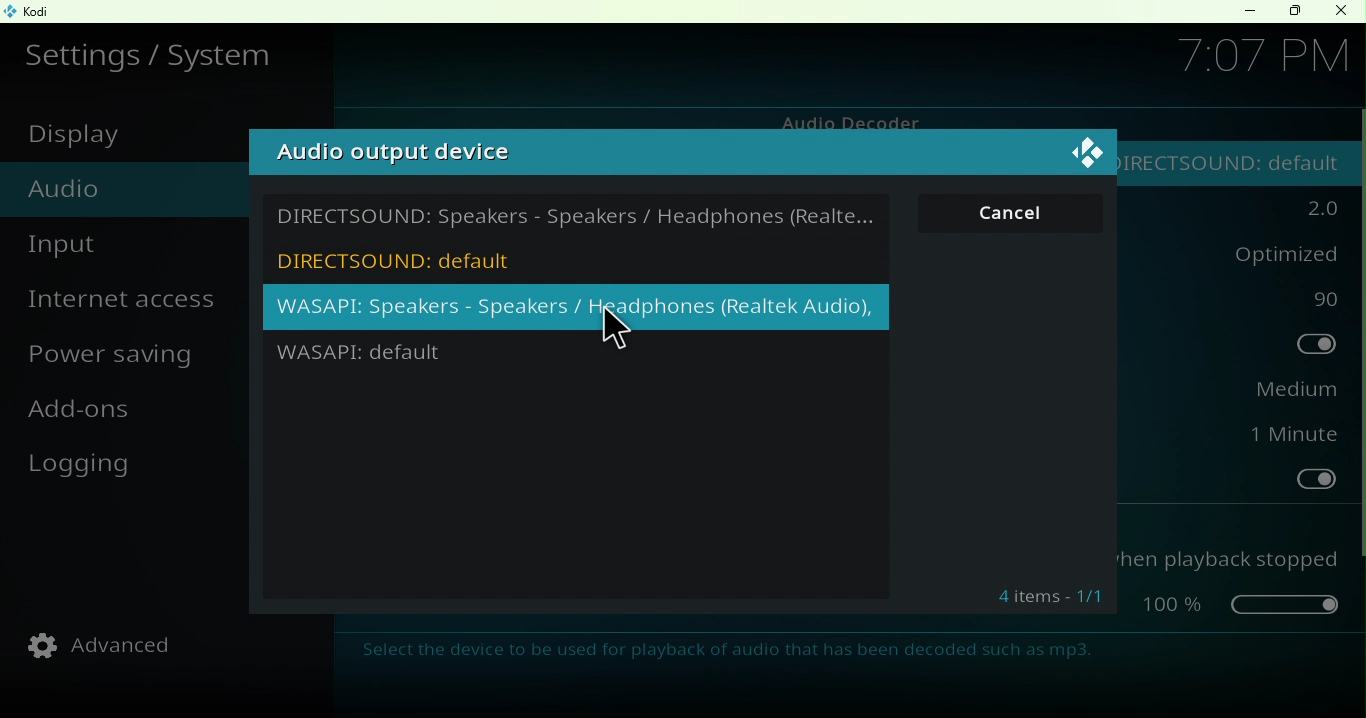  Describe the element at coordinates (395, 151) in the screenshot. I see `Audio output device` at that location.